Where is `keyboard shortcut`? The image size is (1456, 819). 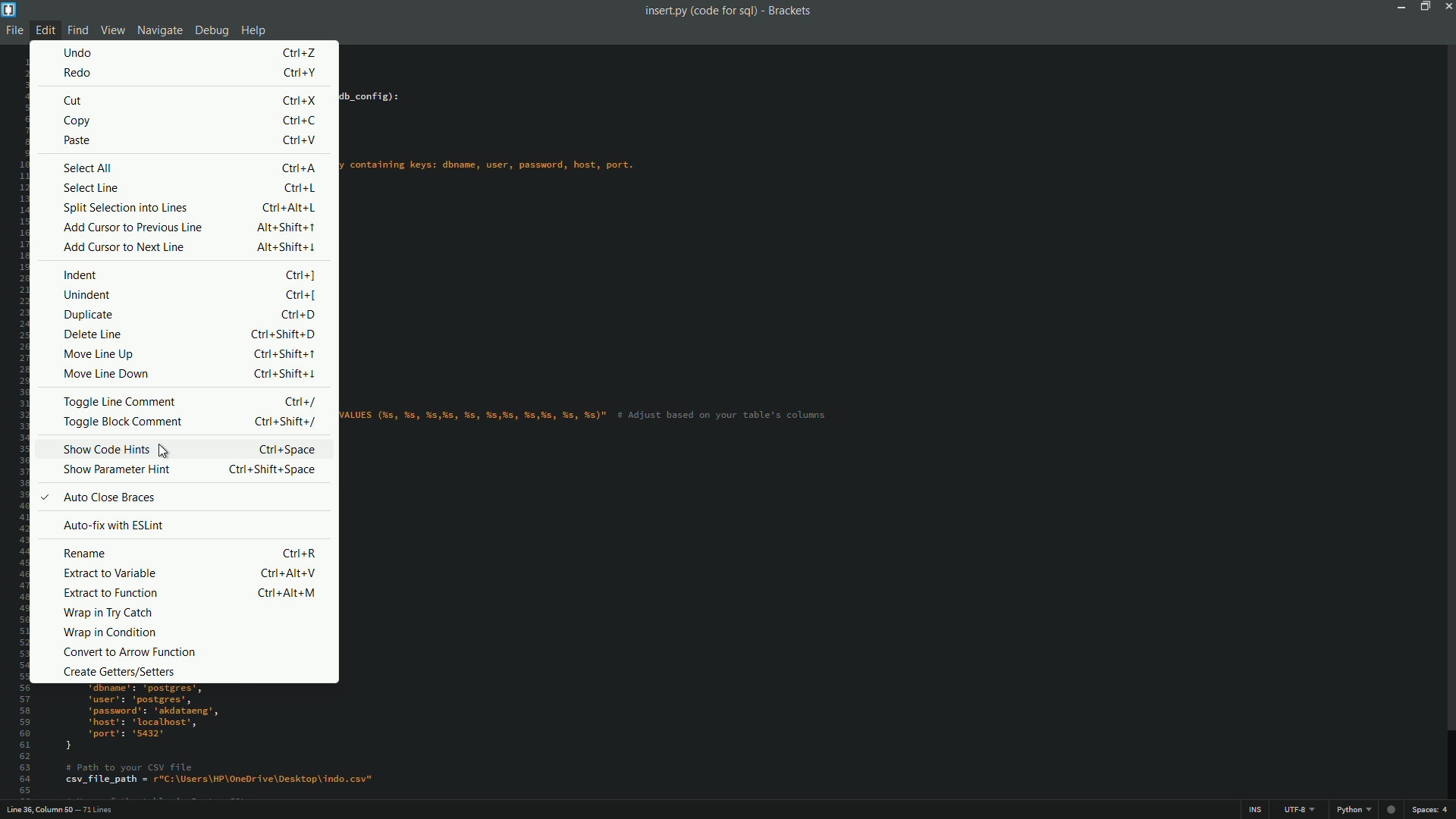 keyboard shortcut is located at coordinates (283, 335).